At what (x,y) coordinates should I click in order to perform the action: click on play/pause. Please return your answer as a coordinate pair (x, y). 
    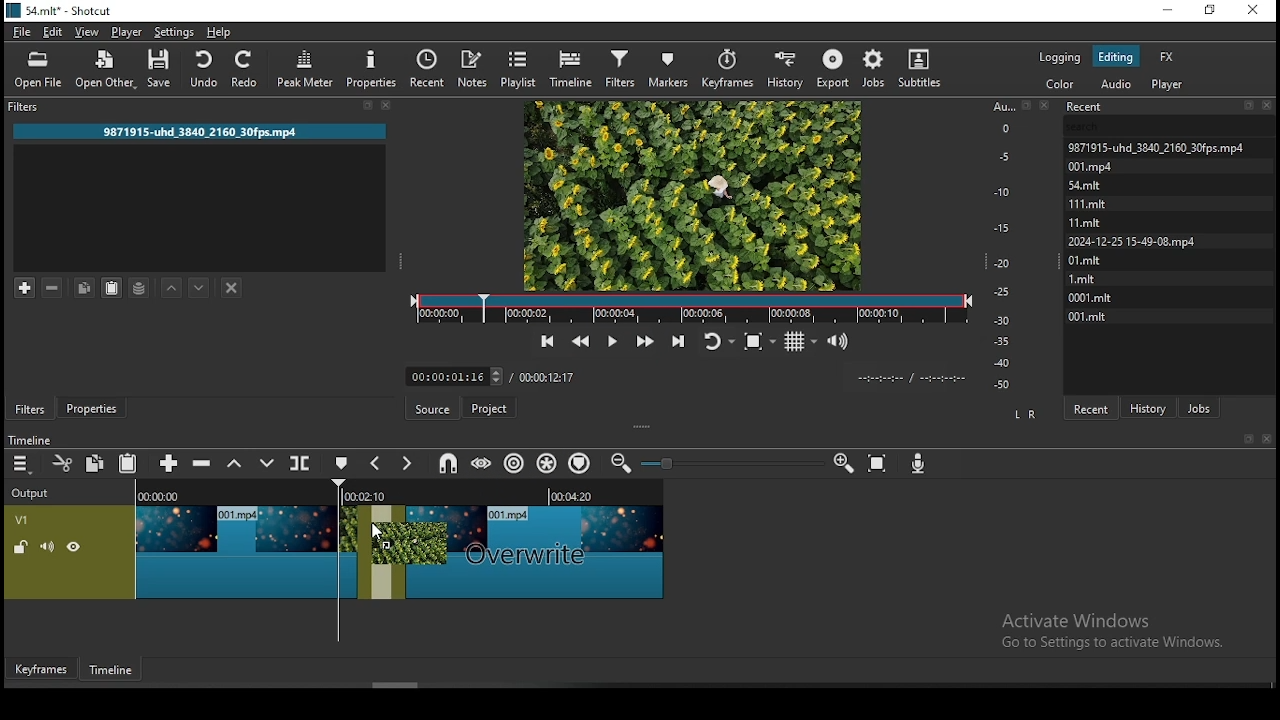
    Looking at the image, I should click on (611, 340).